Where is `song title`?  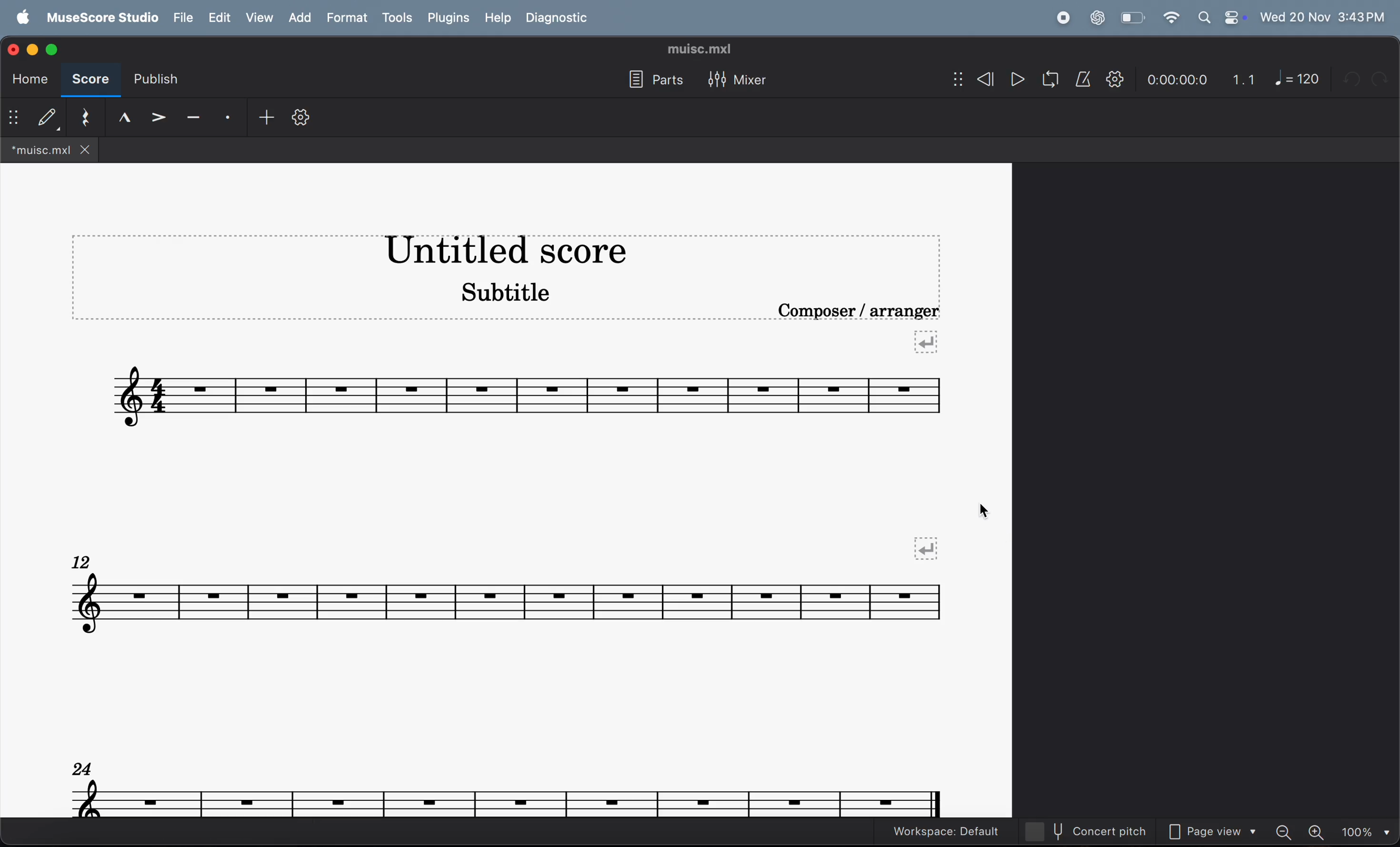
song title is located at coordinates (697, 49).